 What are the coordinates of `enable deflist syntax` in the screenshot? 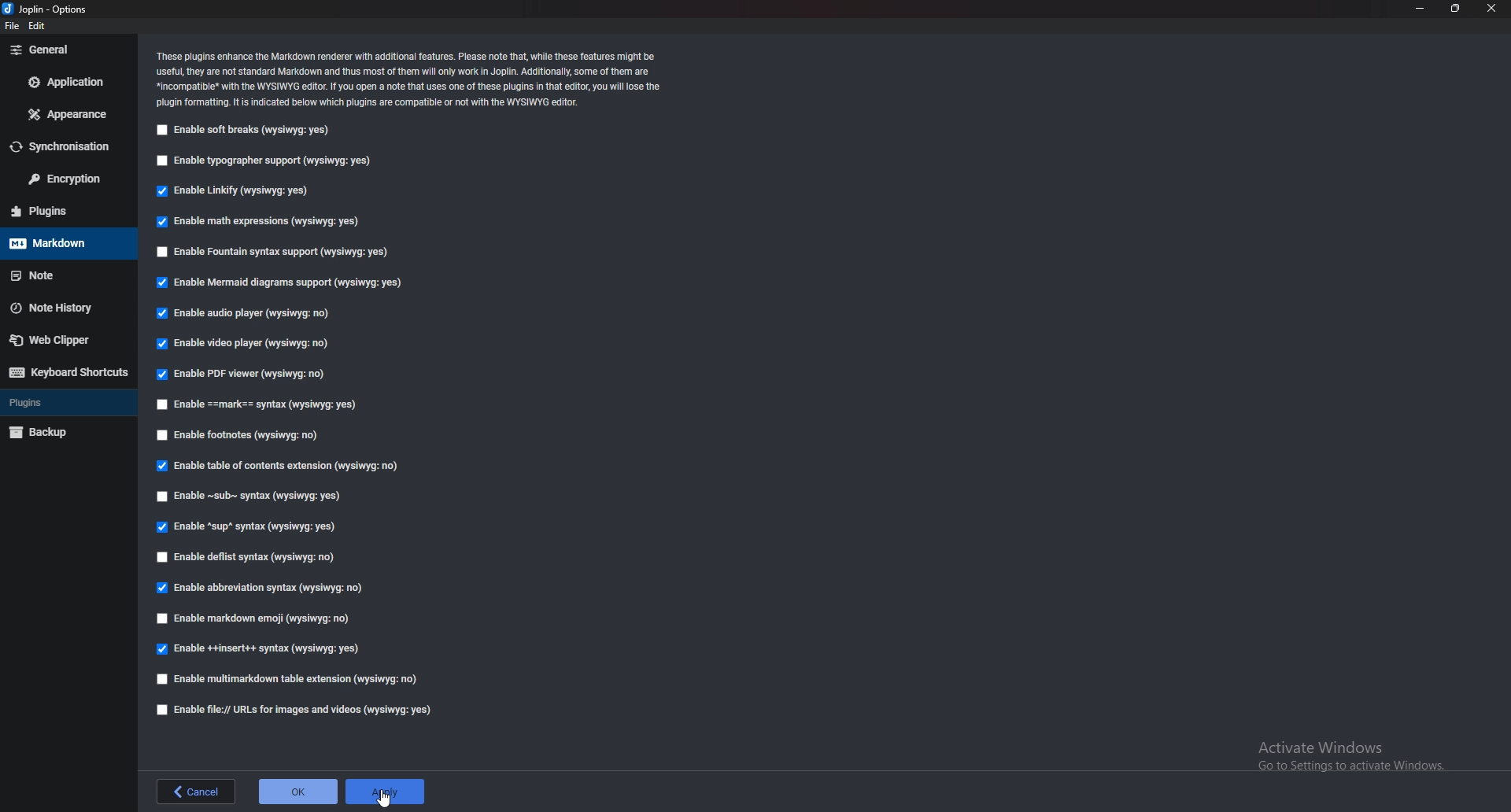 It's located at (249, 555).